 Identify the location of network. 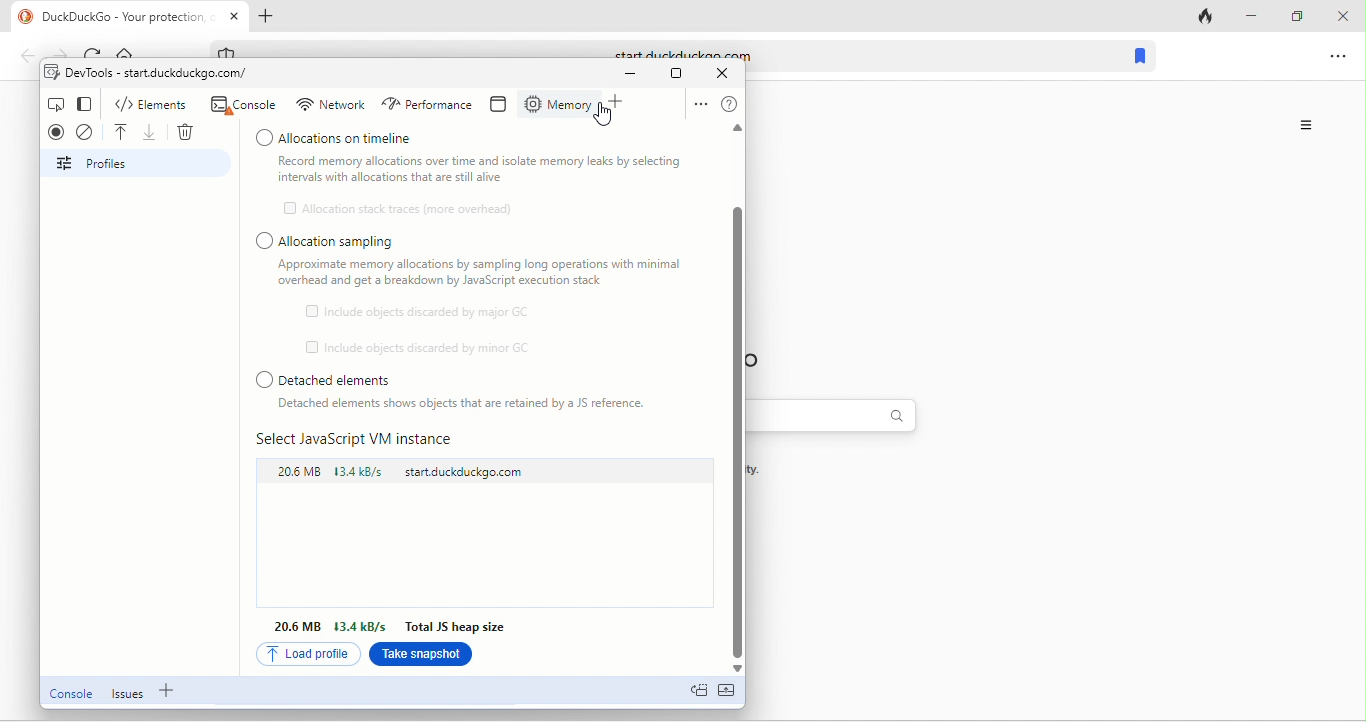
(331, 104).